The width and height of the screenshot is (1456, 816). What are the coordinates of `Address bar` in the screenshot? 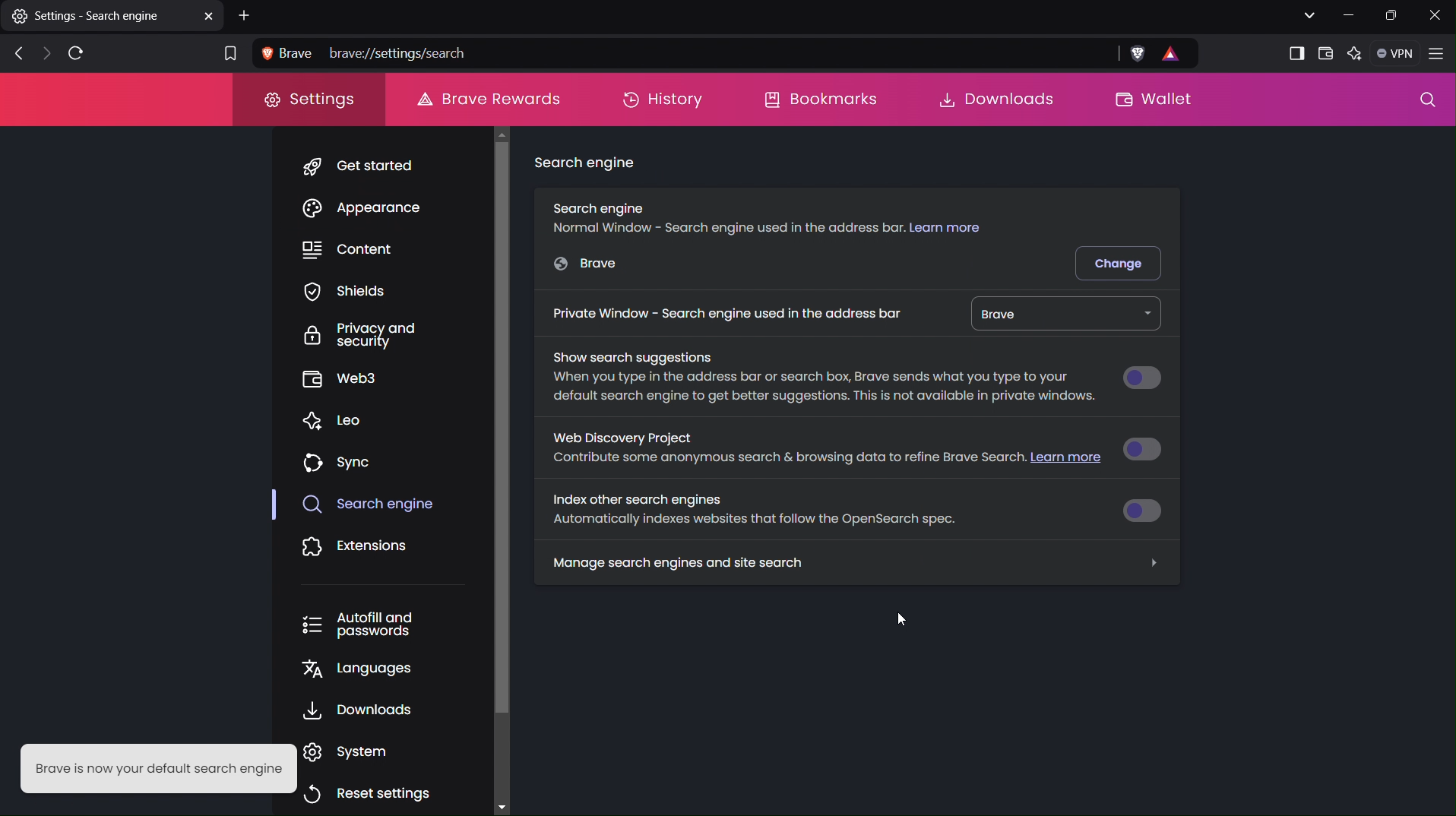 It's located at (679, 53).